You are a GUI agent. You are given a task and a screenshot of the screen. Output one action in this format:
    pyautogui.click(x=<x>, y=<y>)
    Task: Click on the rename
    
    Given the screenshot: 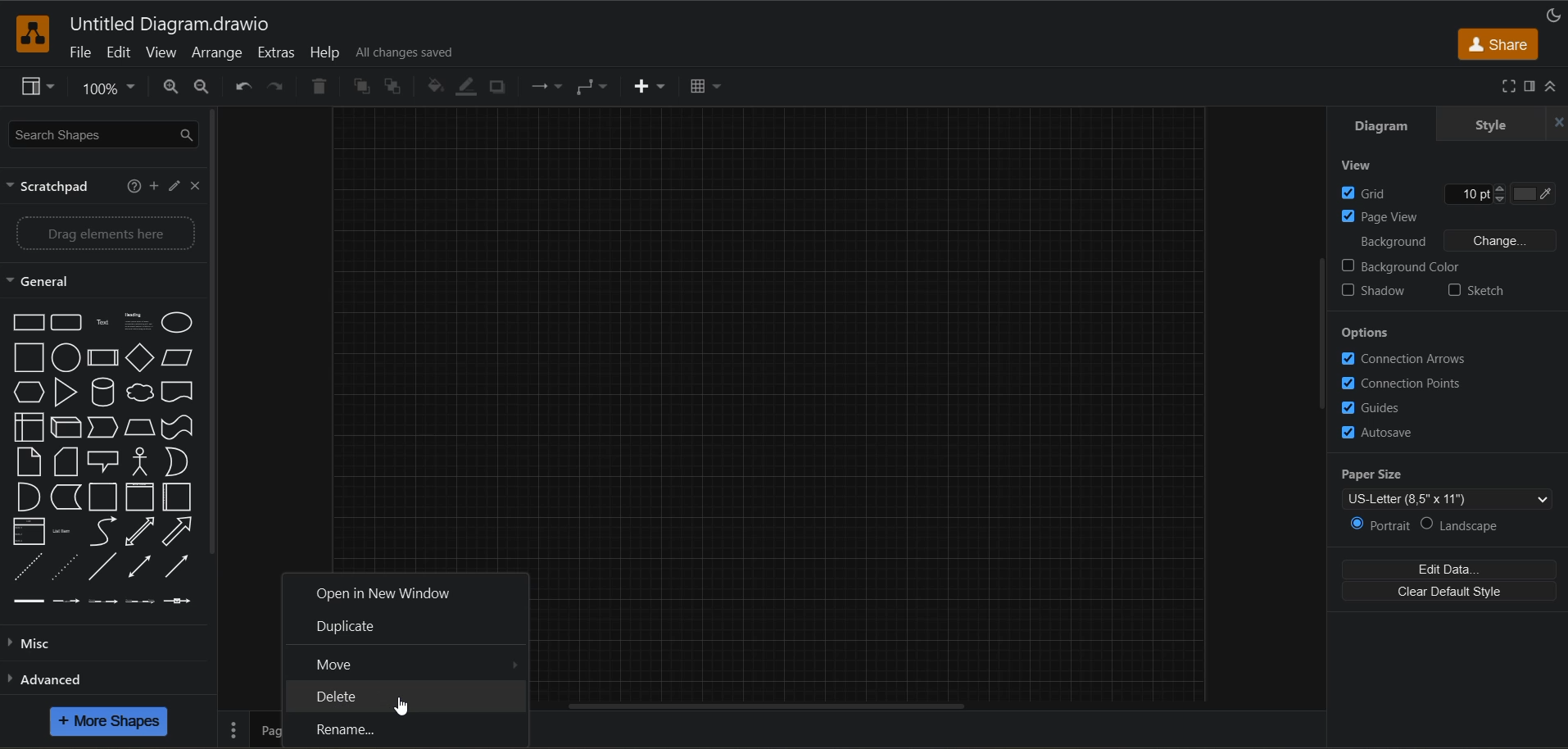 What is the action you would take?
    pyautogui.click(x=356, y=730)
    